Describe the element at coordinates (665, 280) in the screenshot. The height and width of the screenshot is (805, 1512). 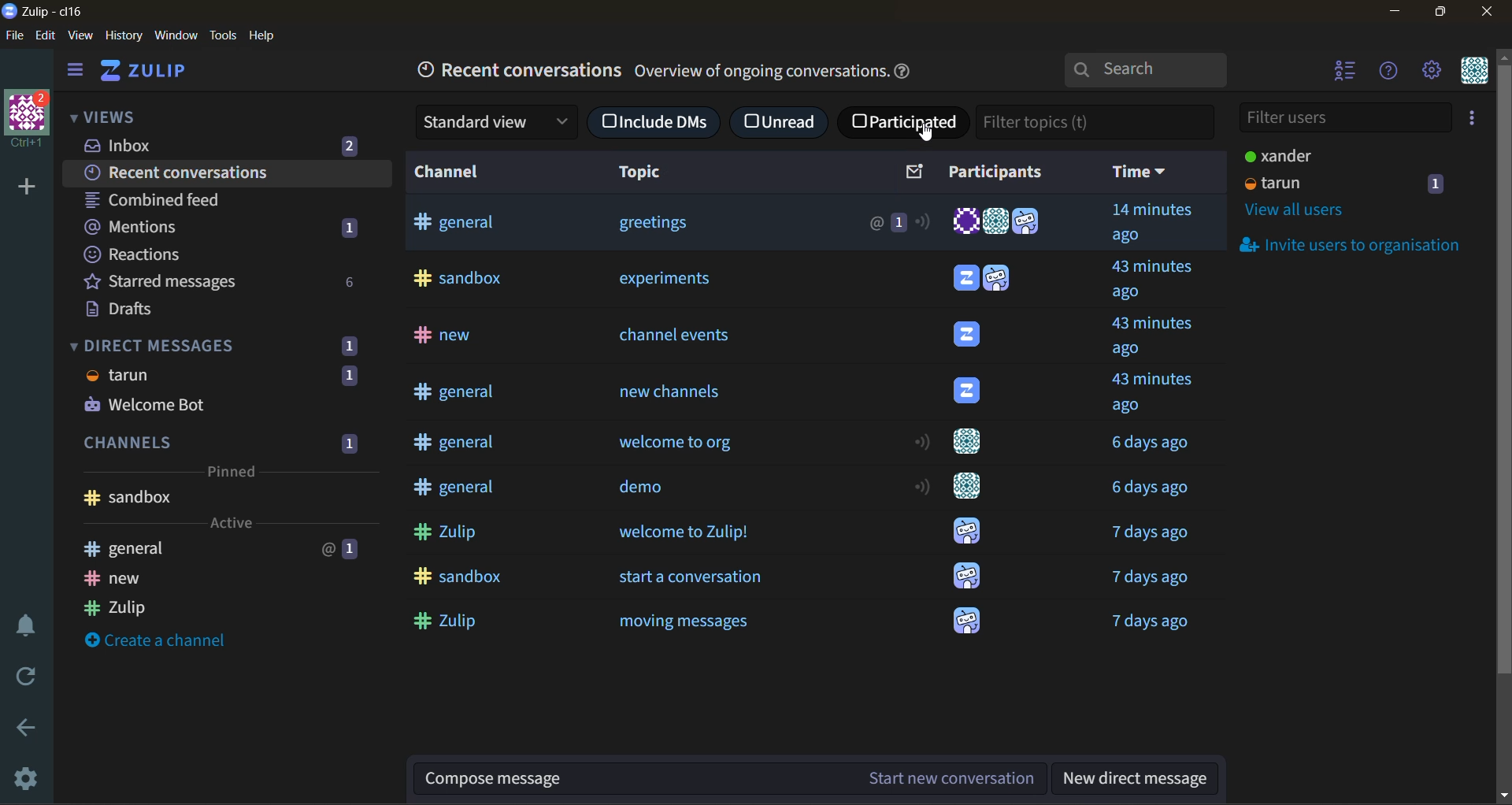
I see `experiments` at that location.